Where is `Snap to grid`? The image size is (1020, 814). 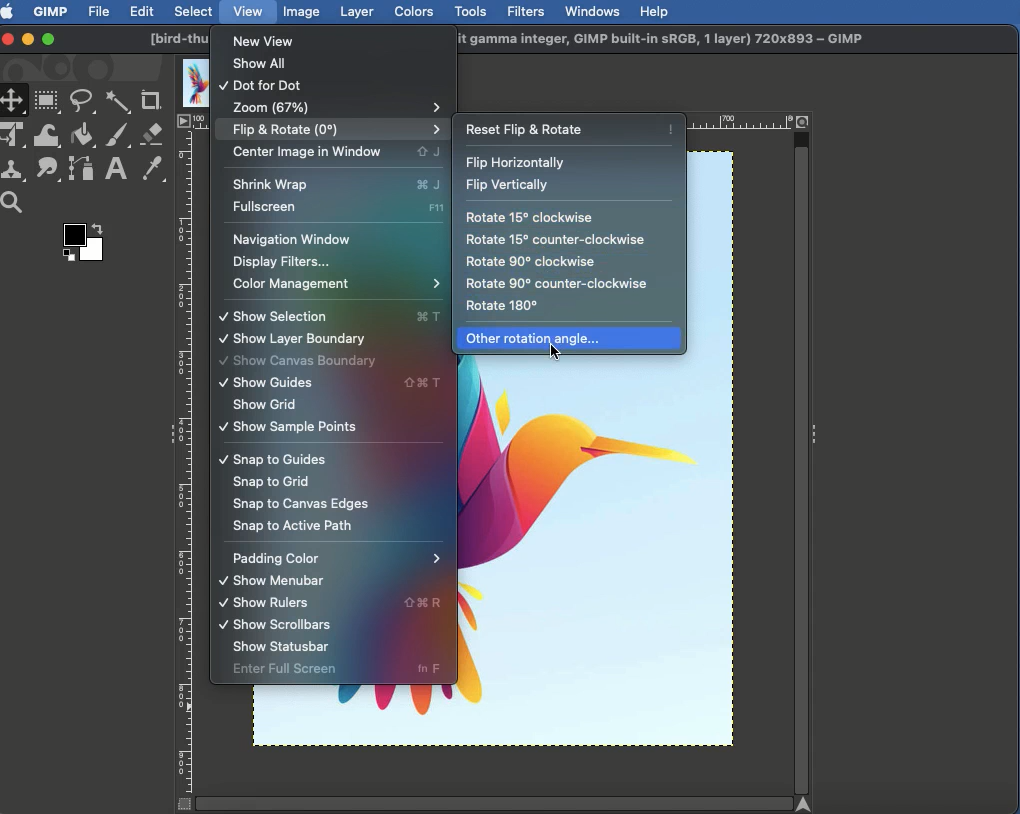
Snap to grid is located at coordinates (271, 483).